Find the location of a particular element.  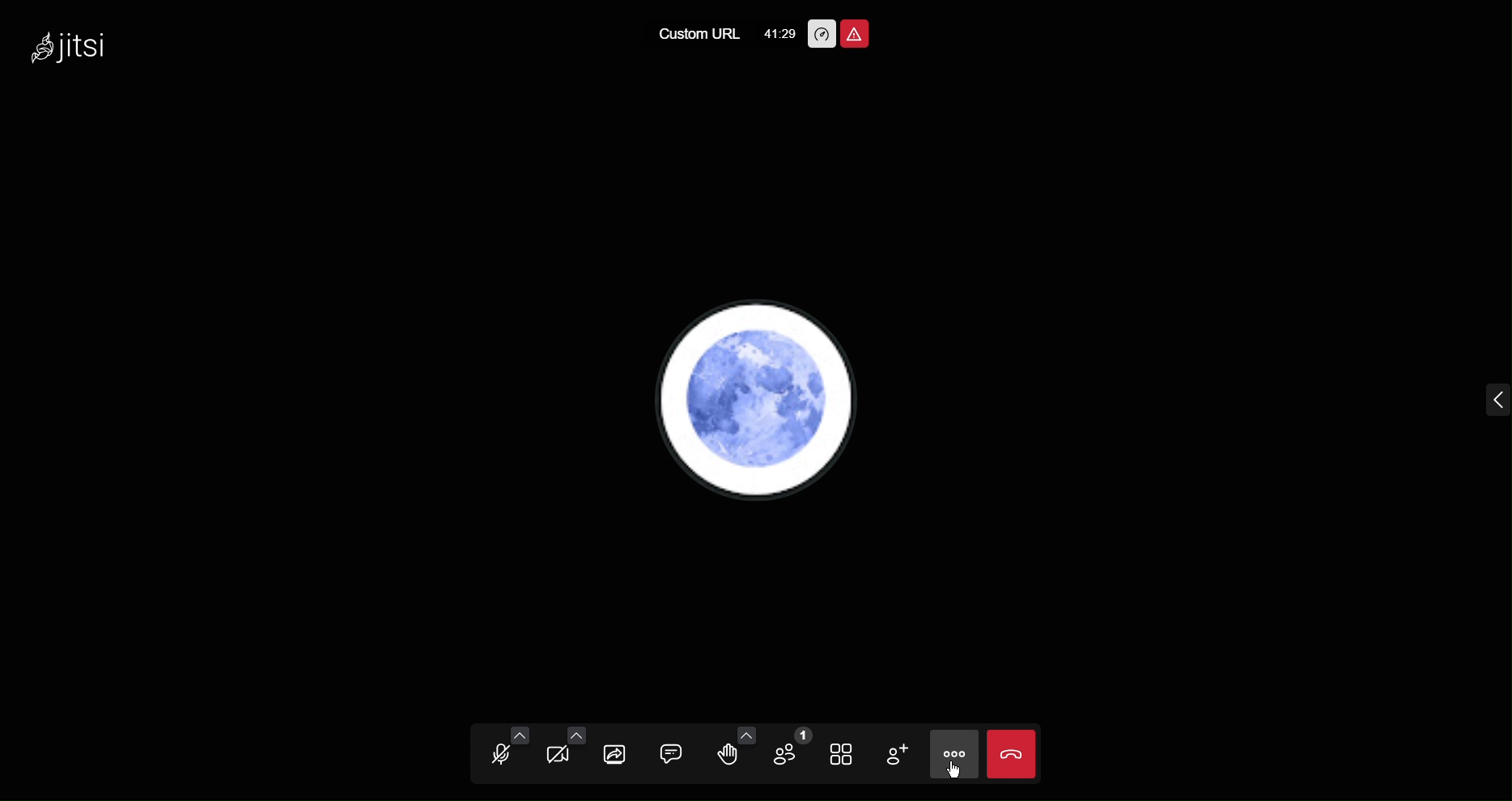

Raise Hand is located at coordinates (732, 751).